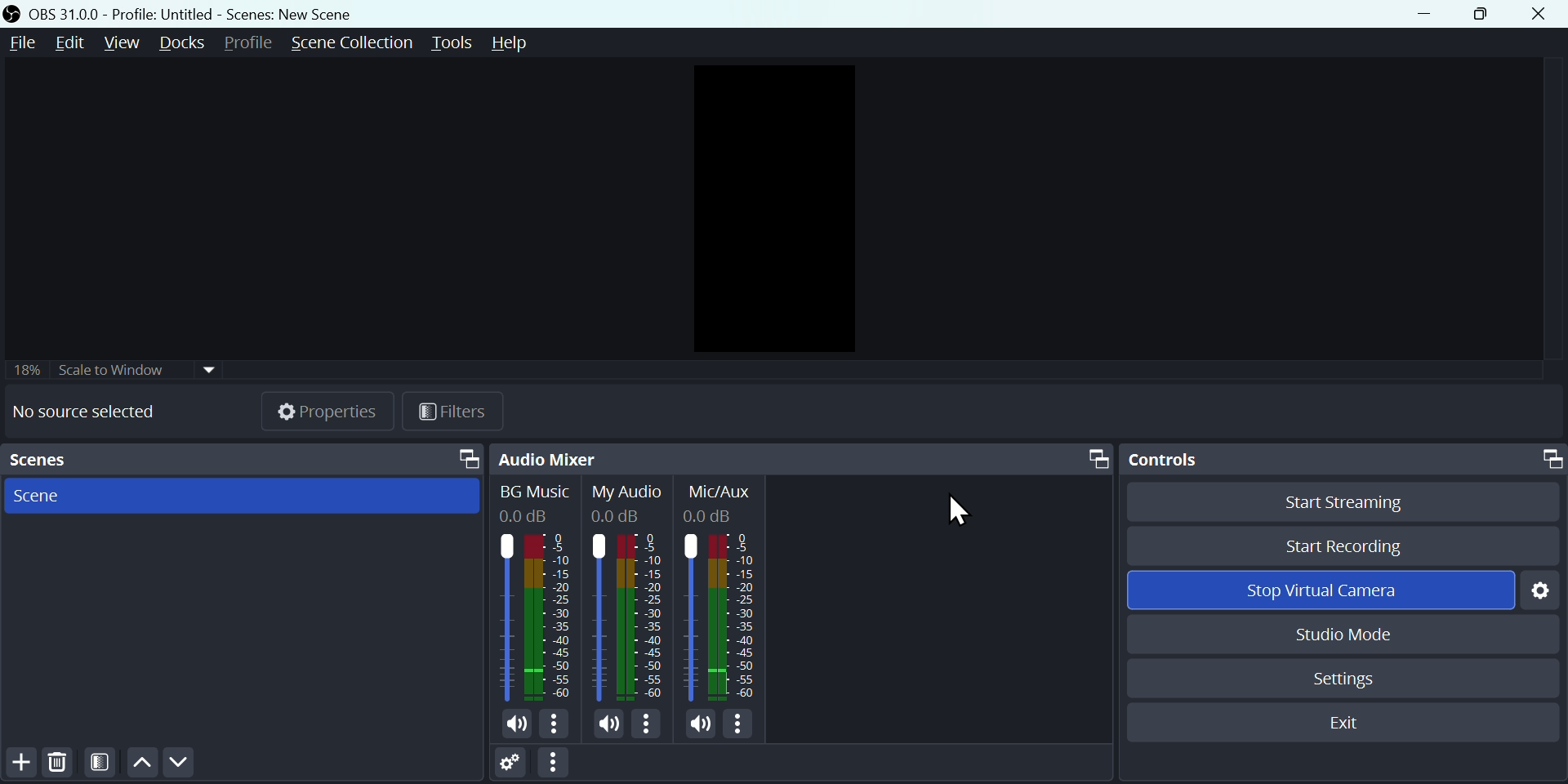 This screenshot has height=784, width=1568. What do you see at coordinates (1335, 501) in the screenshot?
I see `Start streaming` at bounding box center [1335, 501].